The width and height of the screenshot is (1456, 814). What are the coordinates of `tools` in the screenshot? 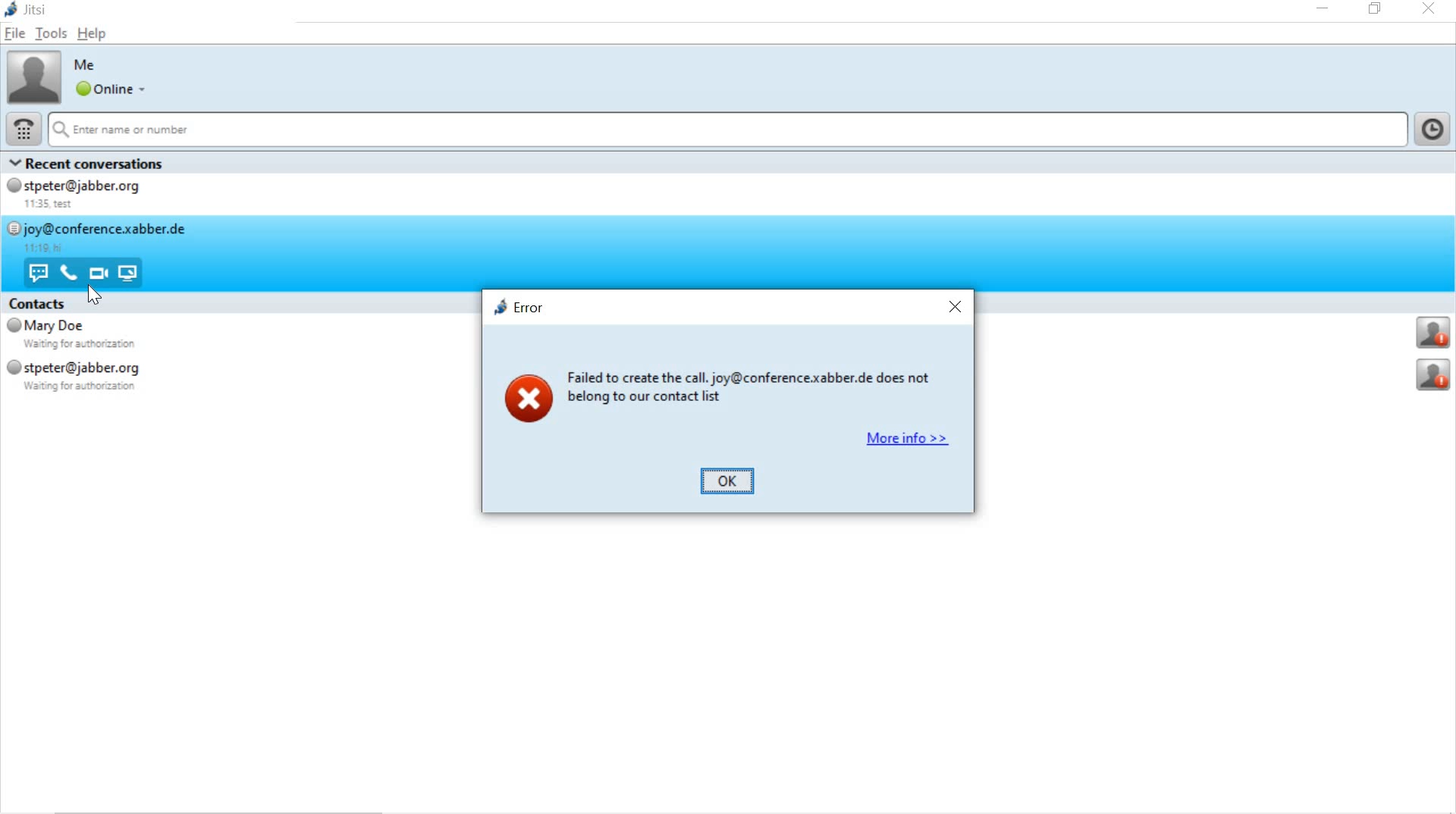 It's located at (49, 33).